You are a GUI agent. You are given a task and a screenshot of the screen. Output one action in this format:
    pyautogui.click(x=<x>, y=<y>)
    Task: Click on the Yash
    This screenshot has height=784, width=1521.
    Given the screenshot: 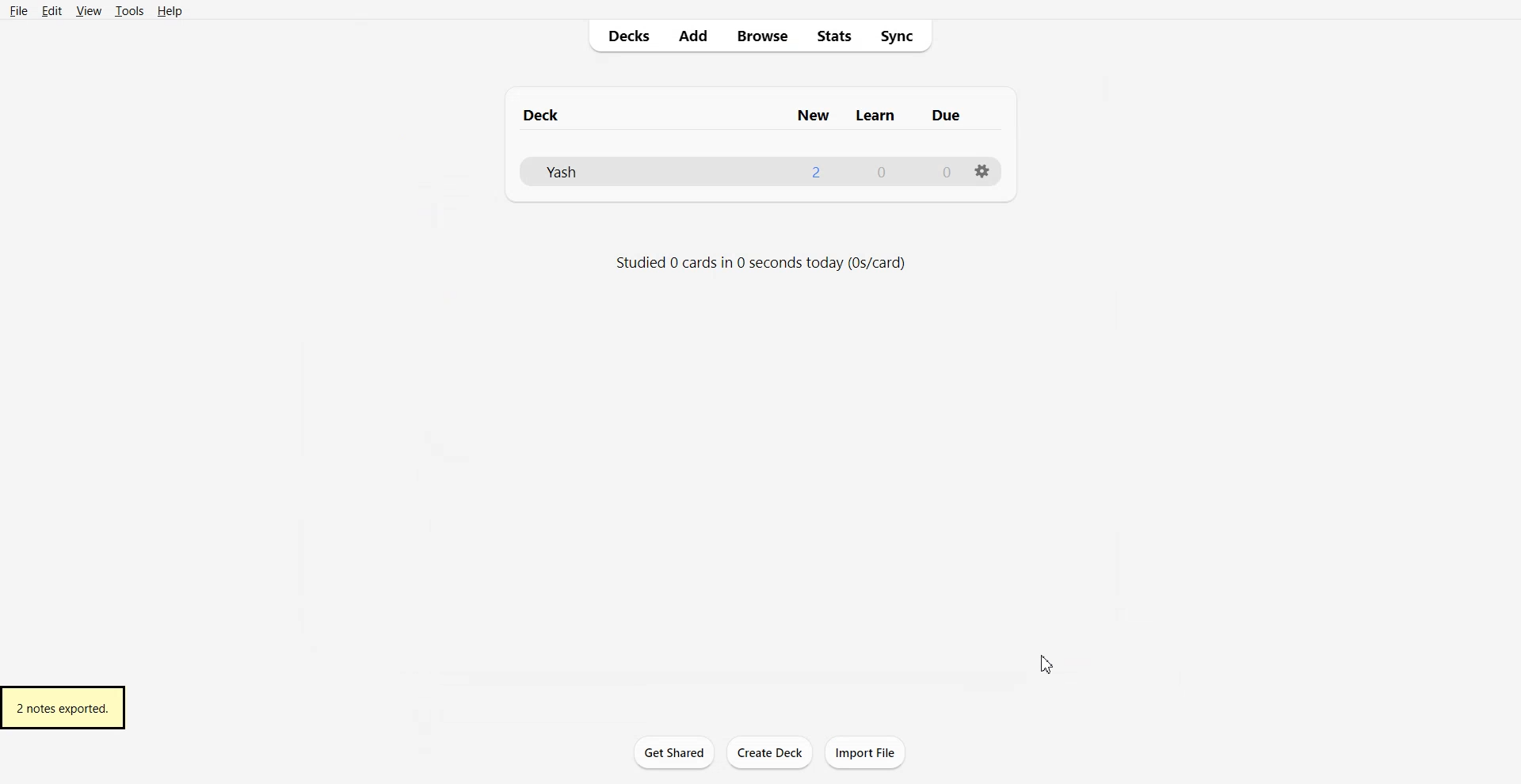 What is the action you would take?
    pyautogui.click(x=566, y=173)
    